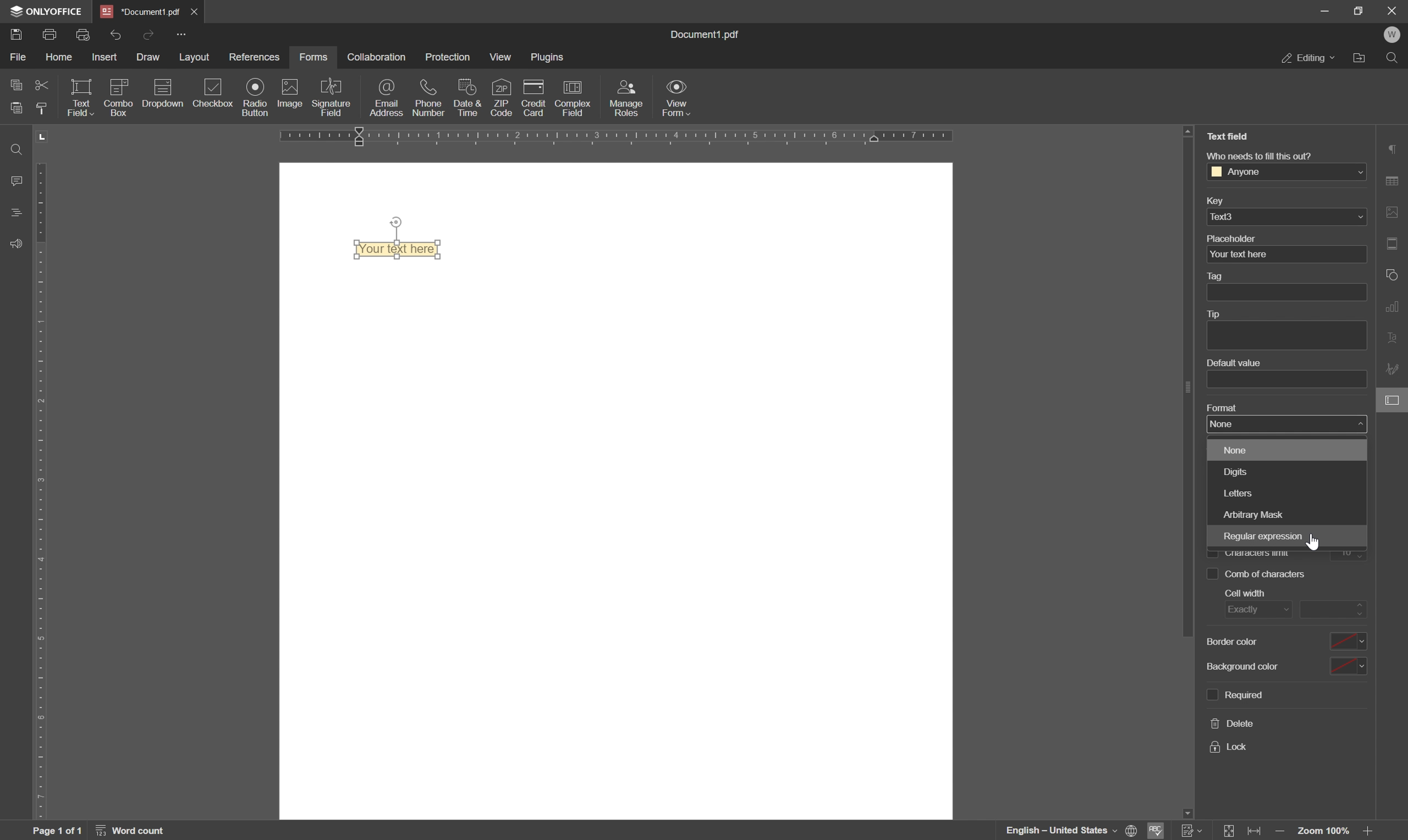  Describe the element at coordinates (14, 180) in the screenshot. I see `comments` at that location.